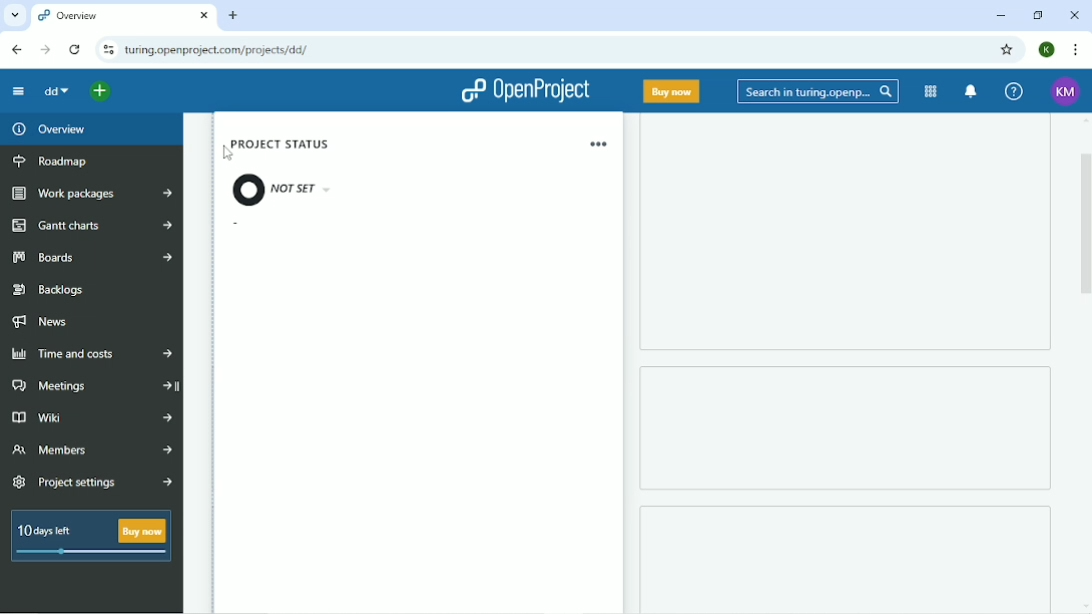 This screenshot has height=614, width=1092. I want to click on Search tabs, so click(14, 14).